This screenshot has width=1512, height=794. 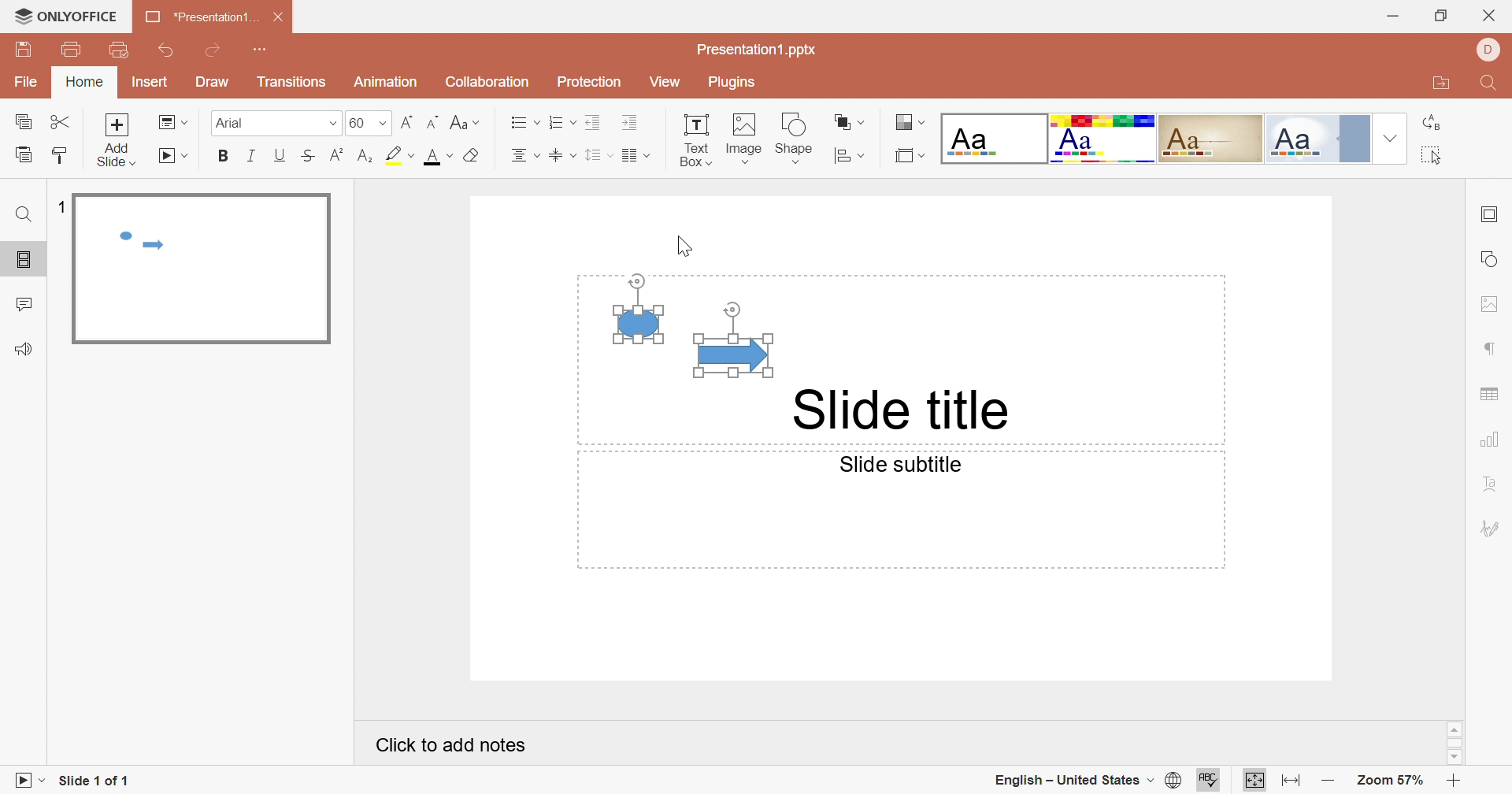 What do you see at coordinates (60, 203) in the screenshot?
I see `1` at bounding box center [60, 203].